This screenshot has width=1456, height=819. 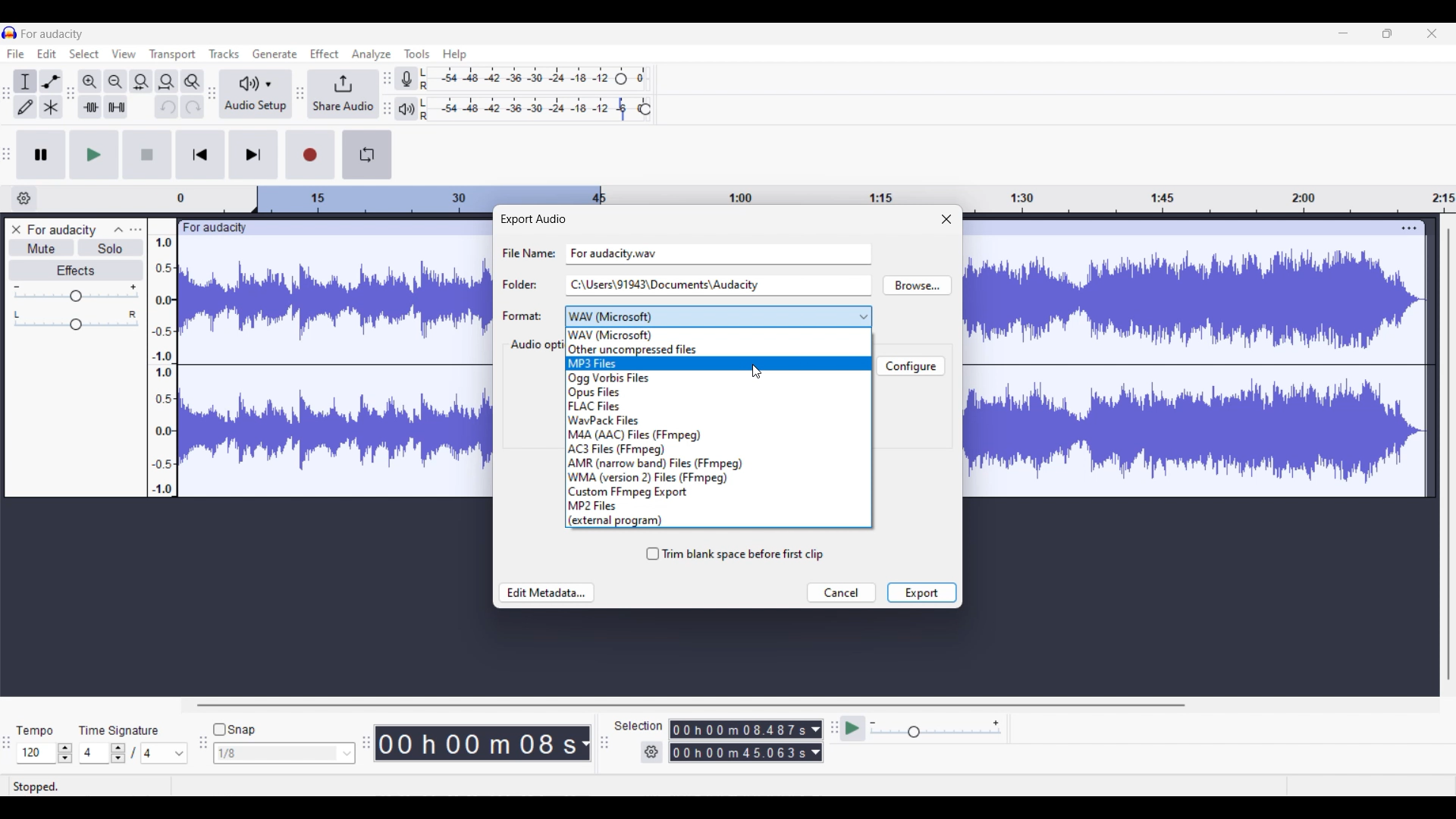 What do you see at coordinates (115, 82) in the screenshot?
I see `Zoom out` at bounding box center [115, 82].